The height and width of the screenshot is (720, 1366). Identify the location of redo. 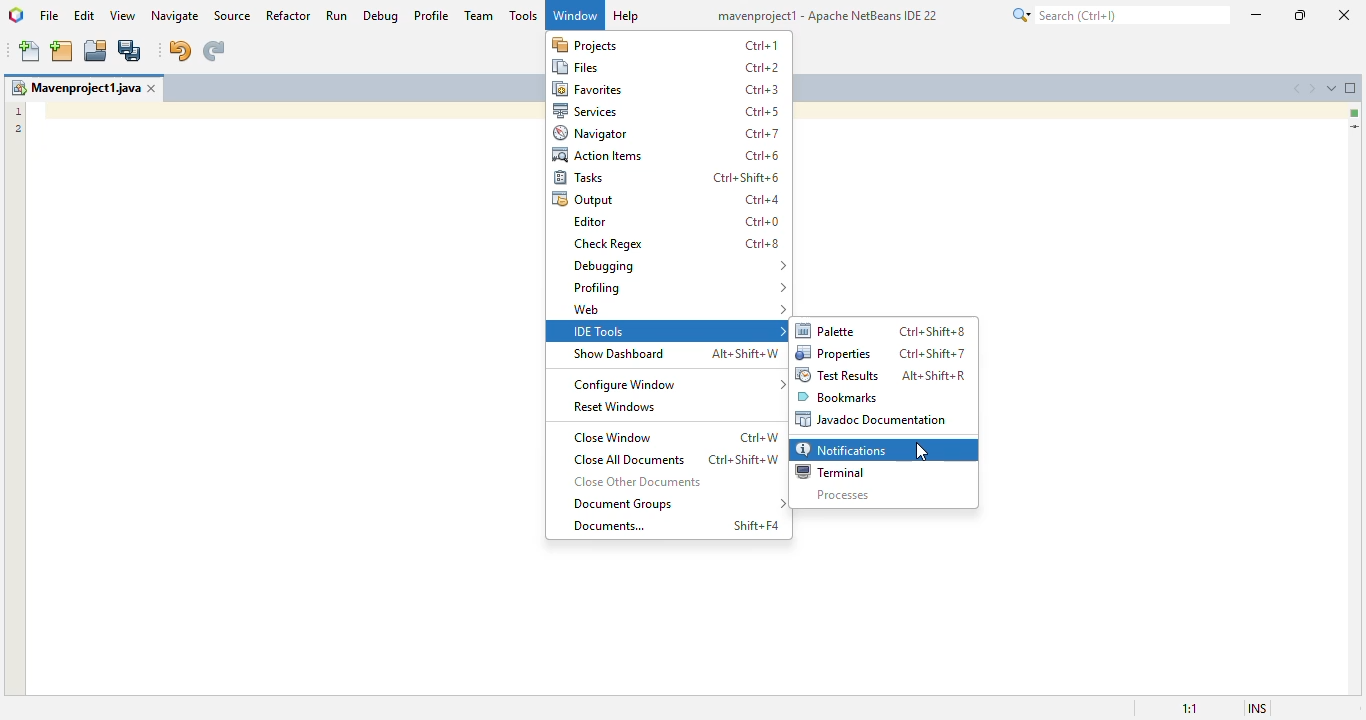
(213, 51).